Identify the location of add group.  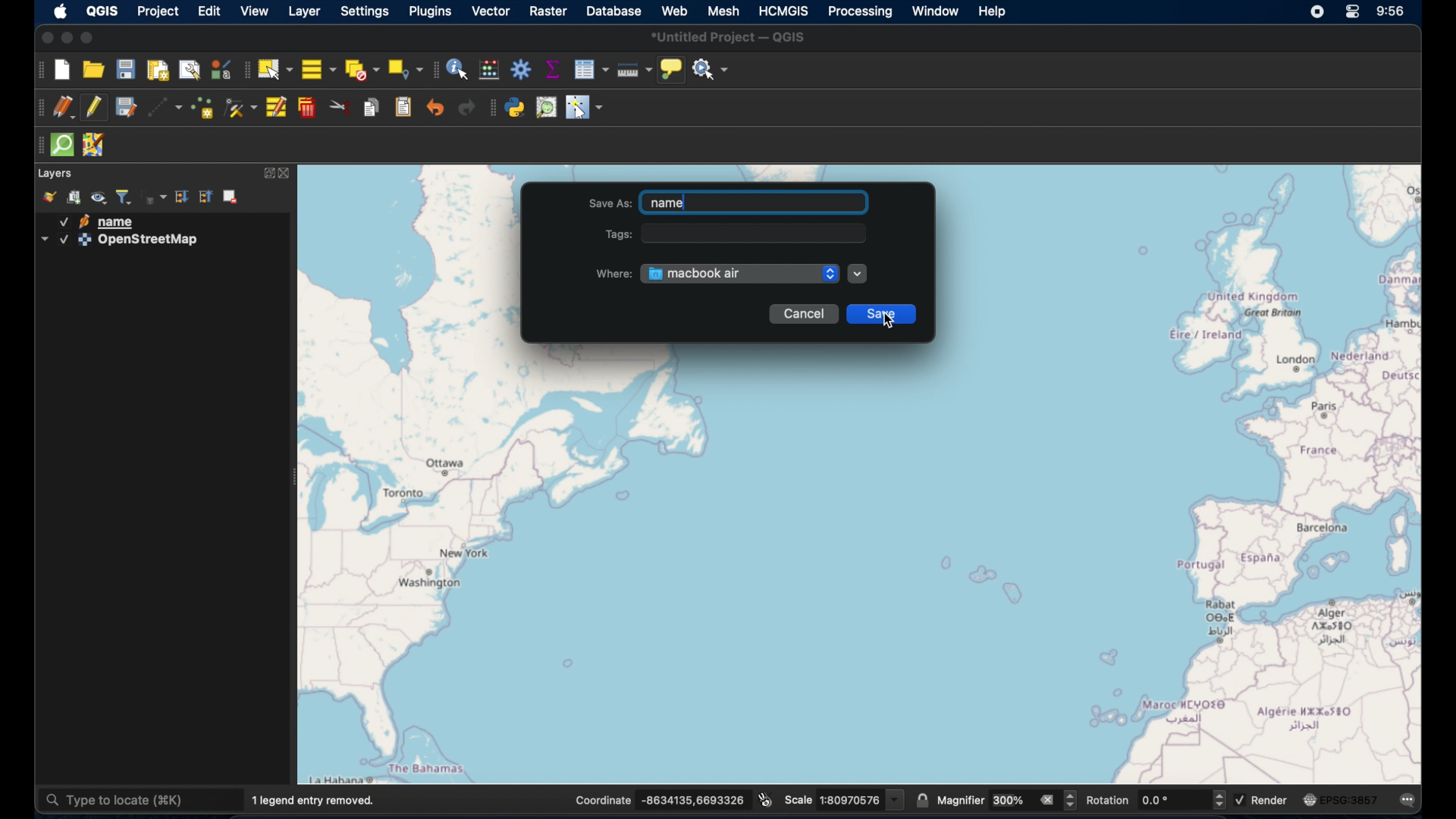
(77, 197).